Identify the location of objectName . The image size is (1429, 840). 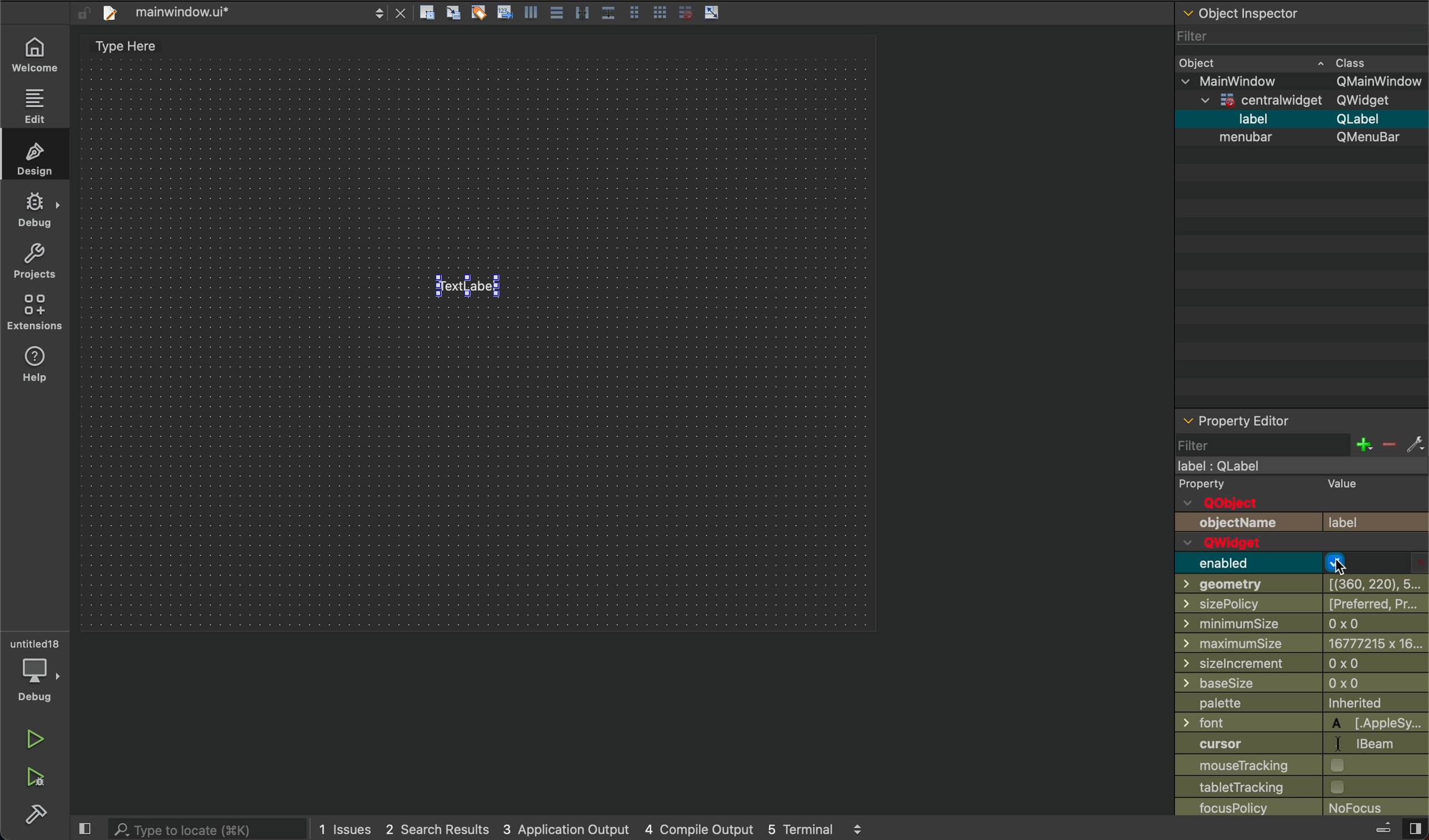
(1244, 523).